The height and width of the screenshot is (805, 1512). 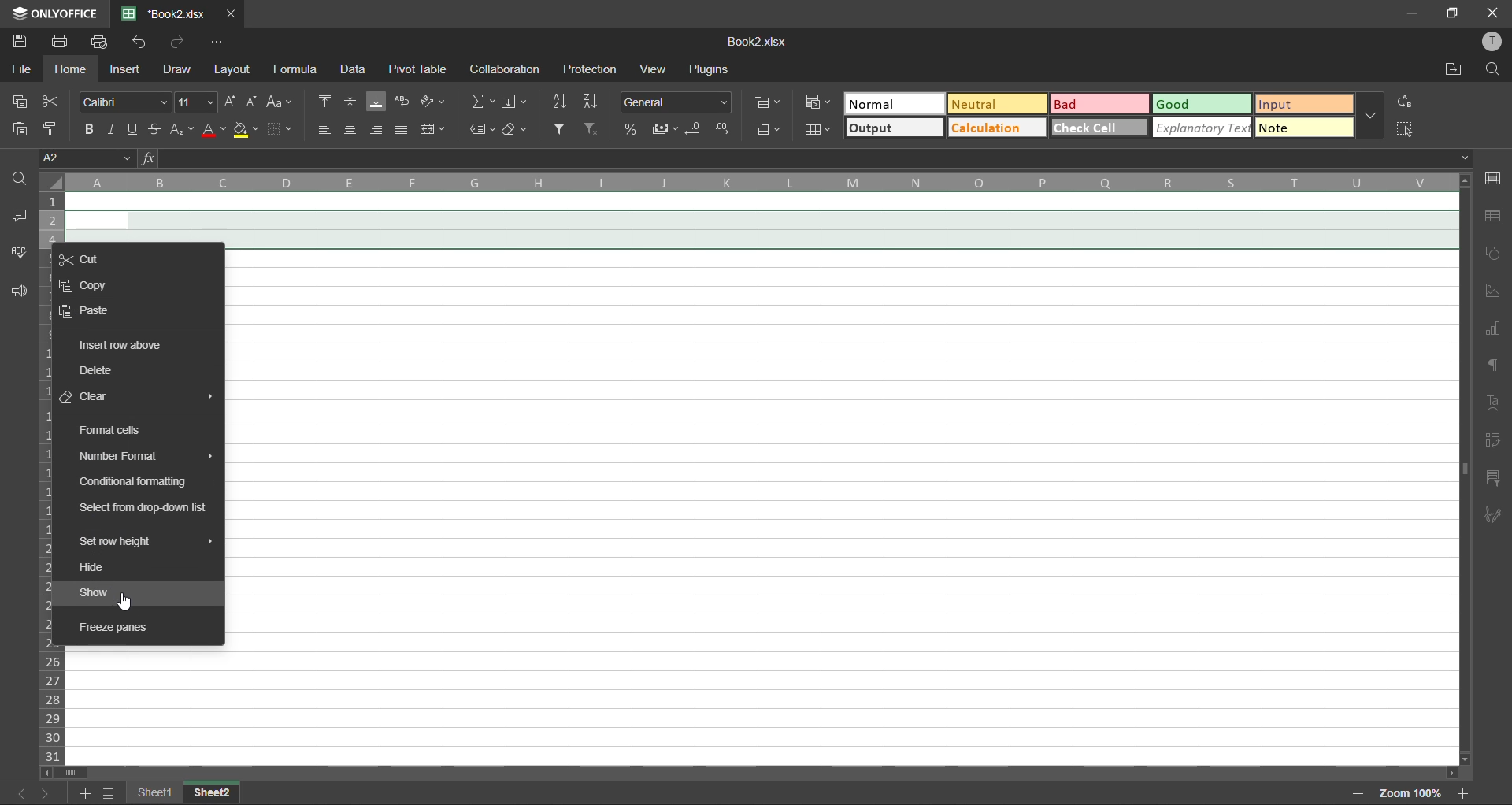 What do you see at coordinates (167, 13) in the screenshot?
I see `*Book2.xlsx` at bounding box center [167, 13].